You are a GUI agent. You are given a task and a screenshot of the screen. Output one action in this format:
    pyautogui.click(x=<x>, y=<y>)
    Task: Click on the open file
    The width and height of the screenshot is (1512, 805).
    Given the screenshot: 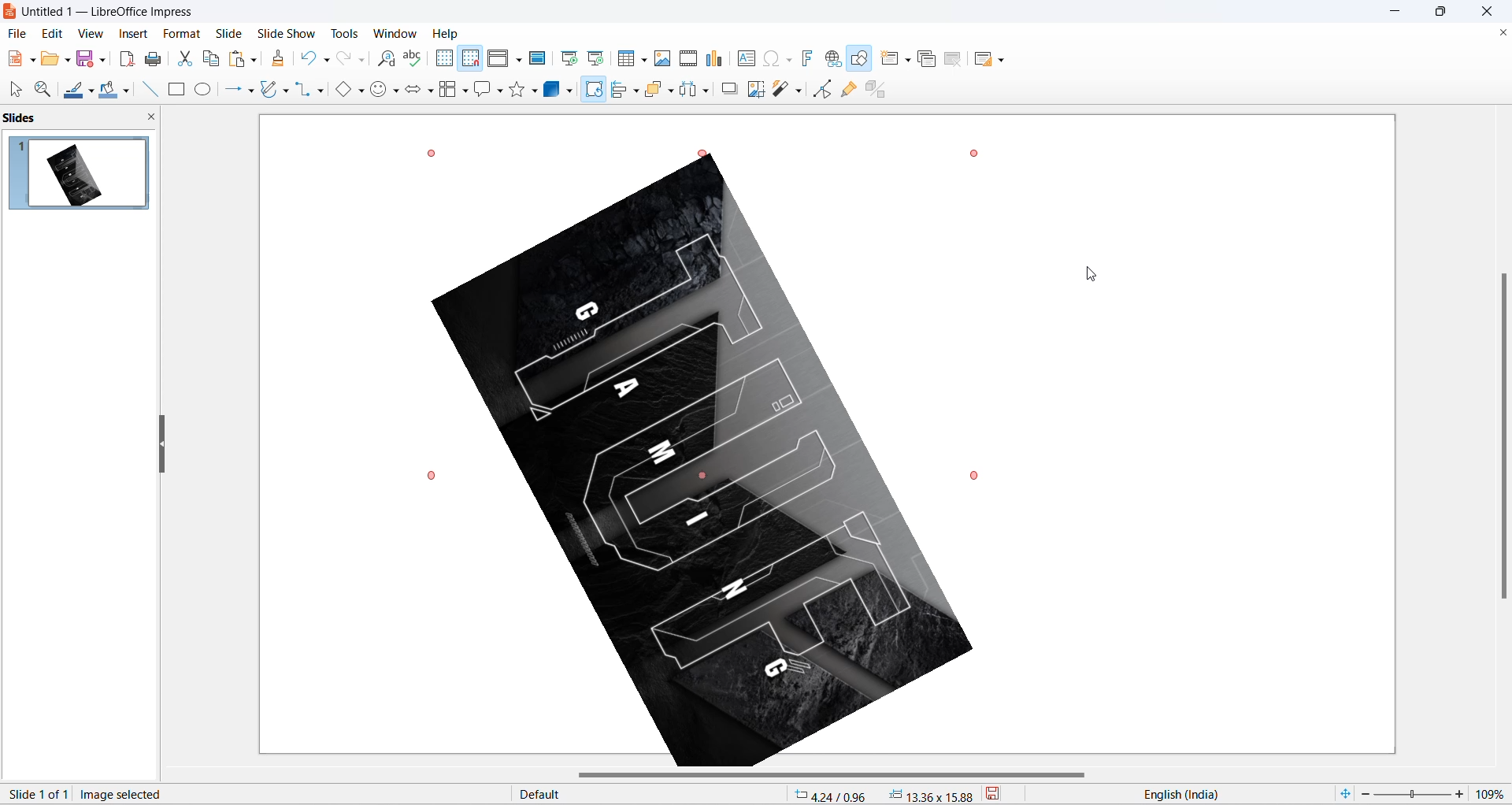 What is the action you would take?
    pyautogui.click(x=50, y=61)
    